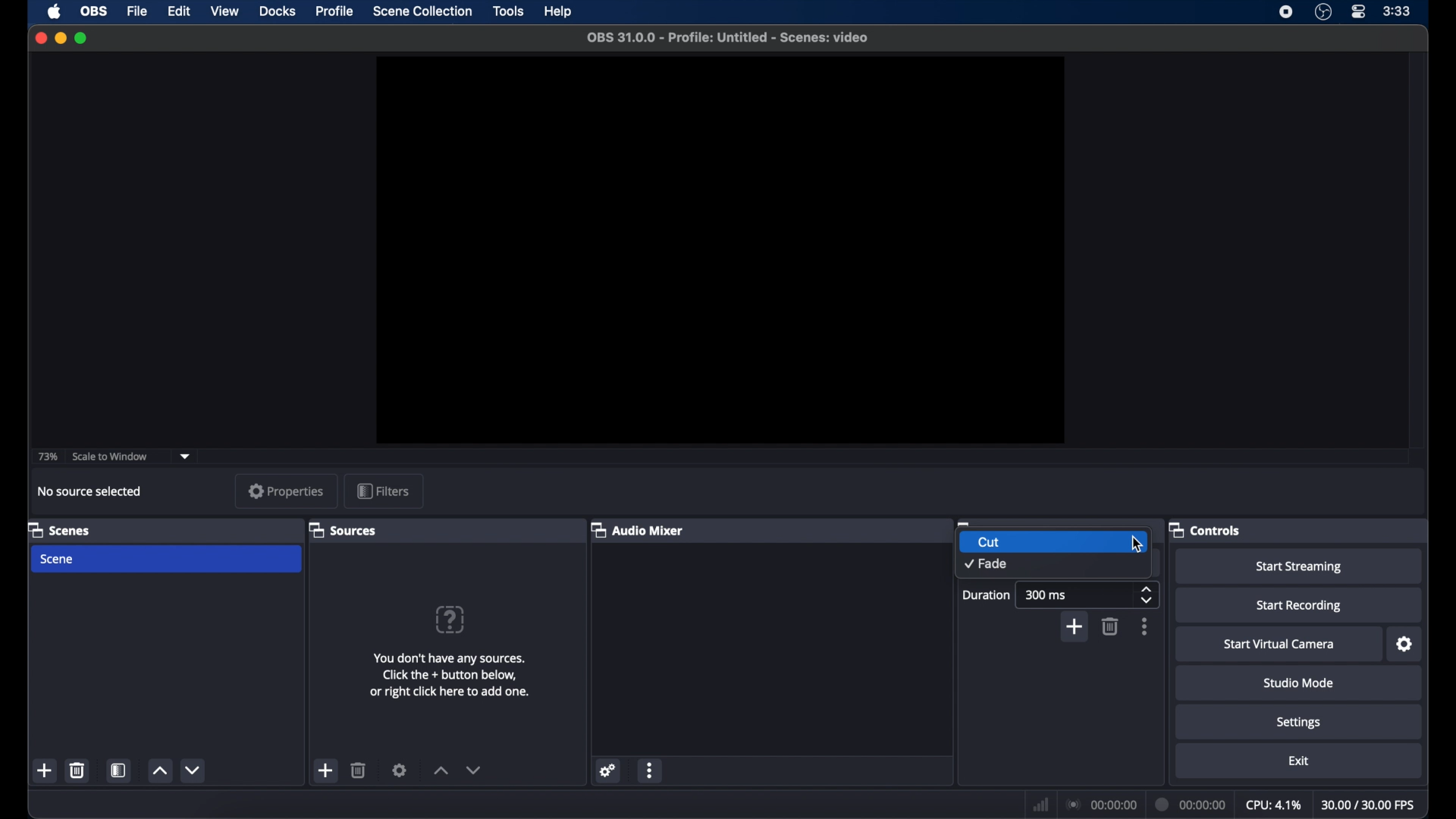  Describe the element at coordinates (560, 11) in the screenshot. I see `help` at that location.